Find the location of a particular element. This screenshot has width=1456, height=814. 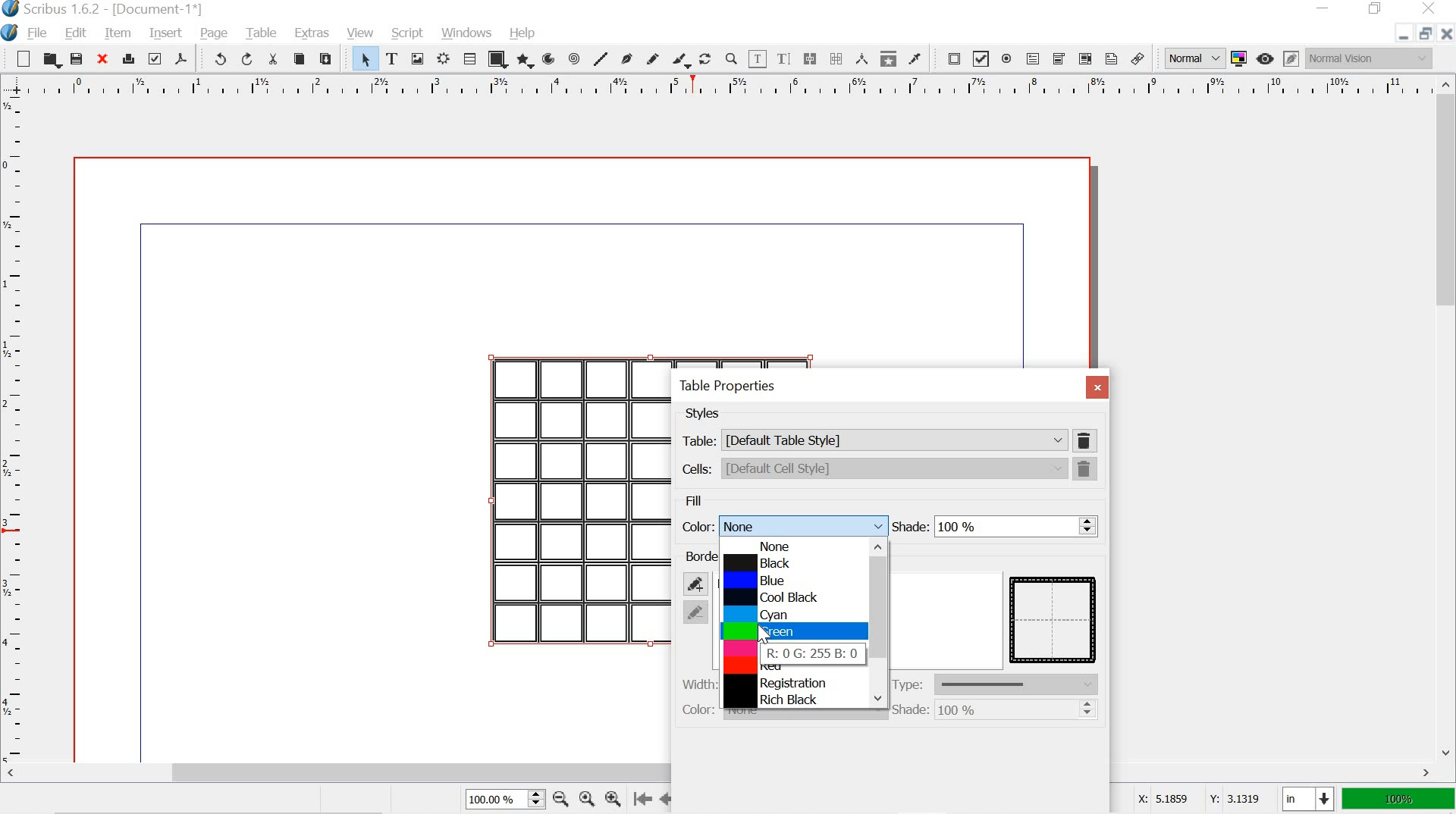

table is located at coordinates (472, 58).